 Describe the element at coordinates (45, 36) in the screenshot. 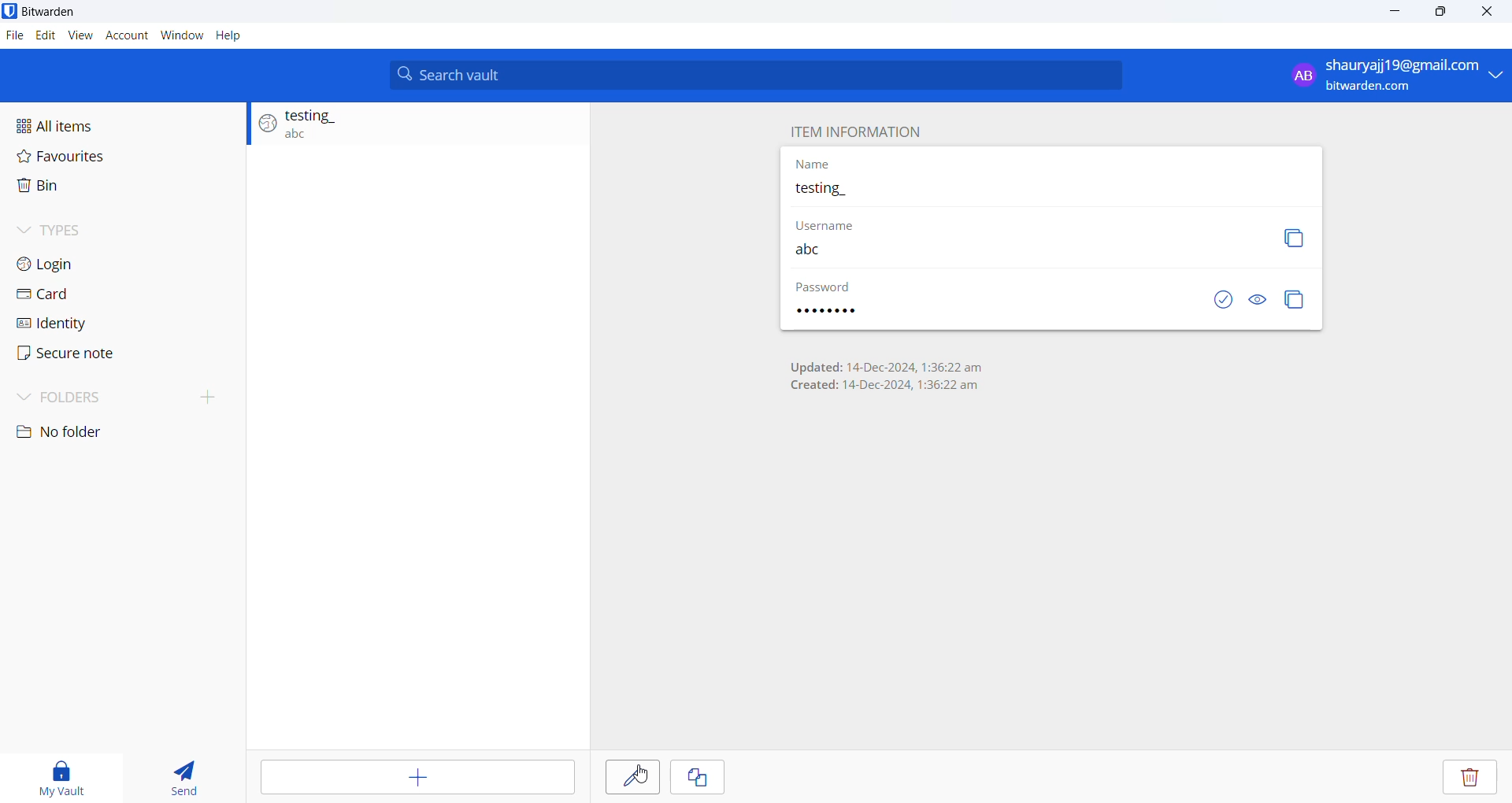

I see `Edit` at that location.